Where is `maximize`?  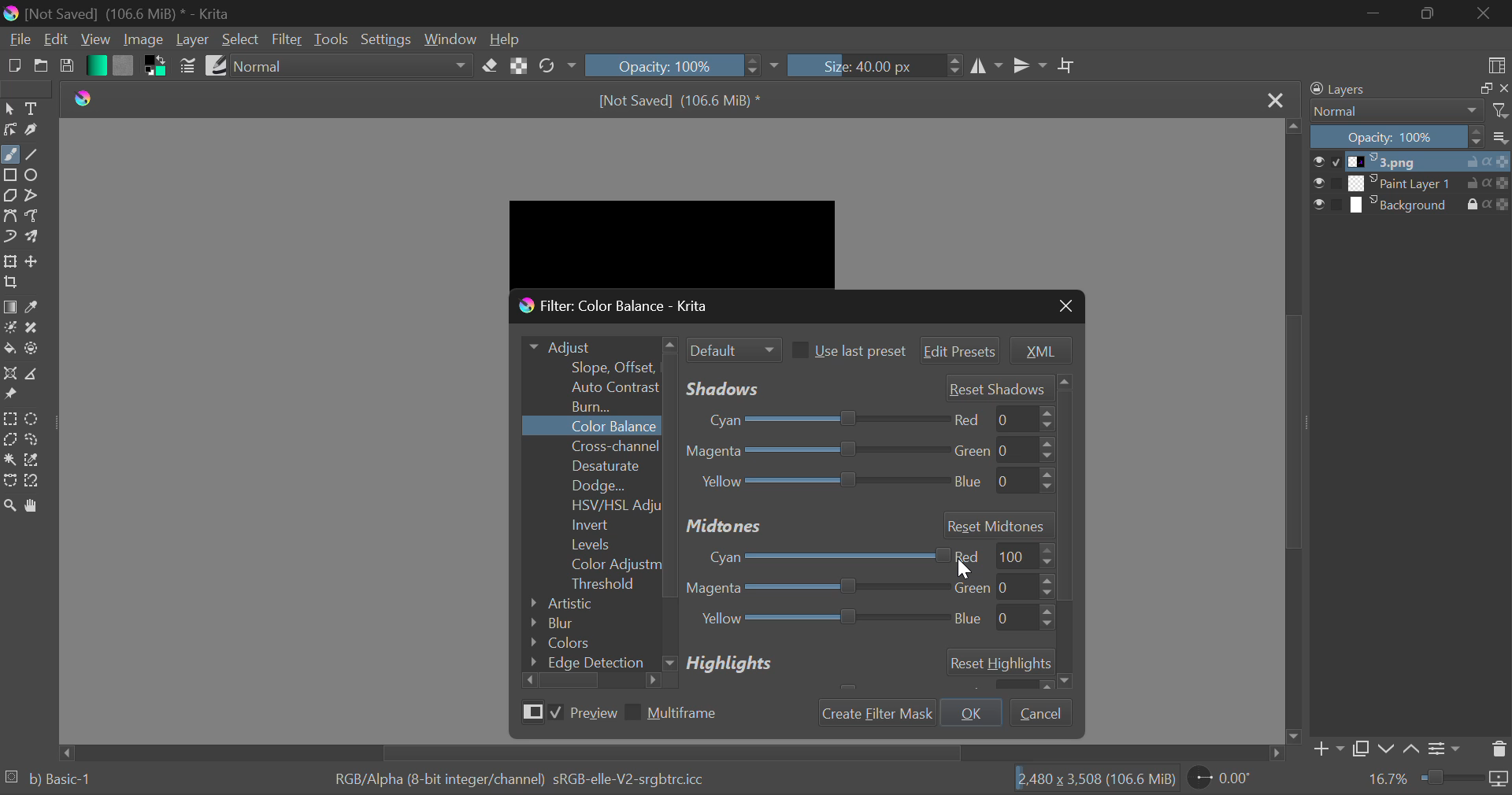 maximize is located at coordinates (1481, 91).